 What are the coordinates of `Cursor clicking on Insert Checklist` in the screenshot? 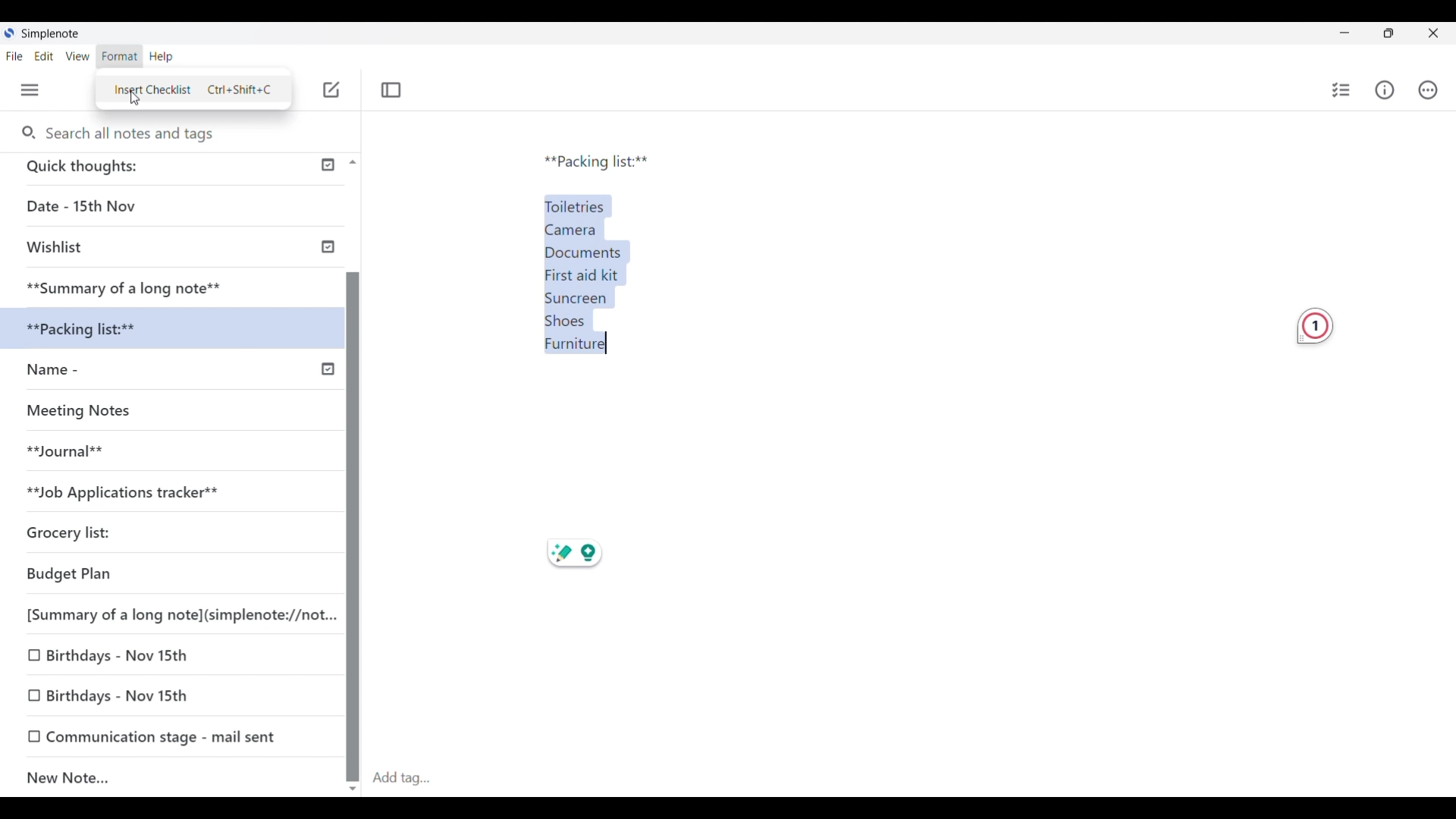 It's located at (193, 90).